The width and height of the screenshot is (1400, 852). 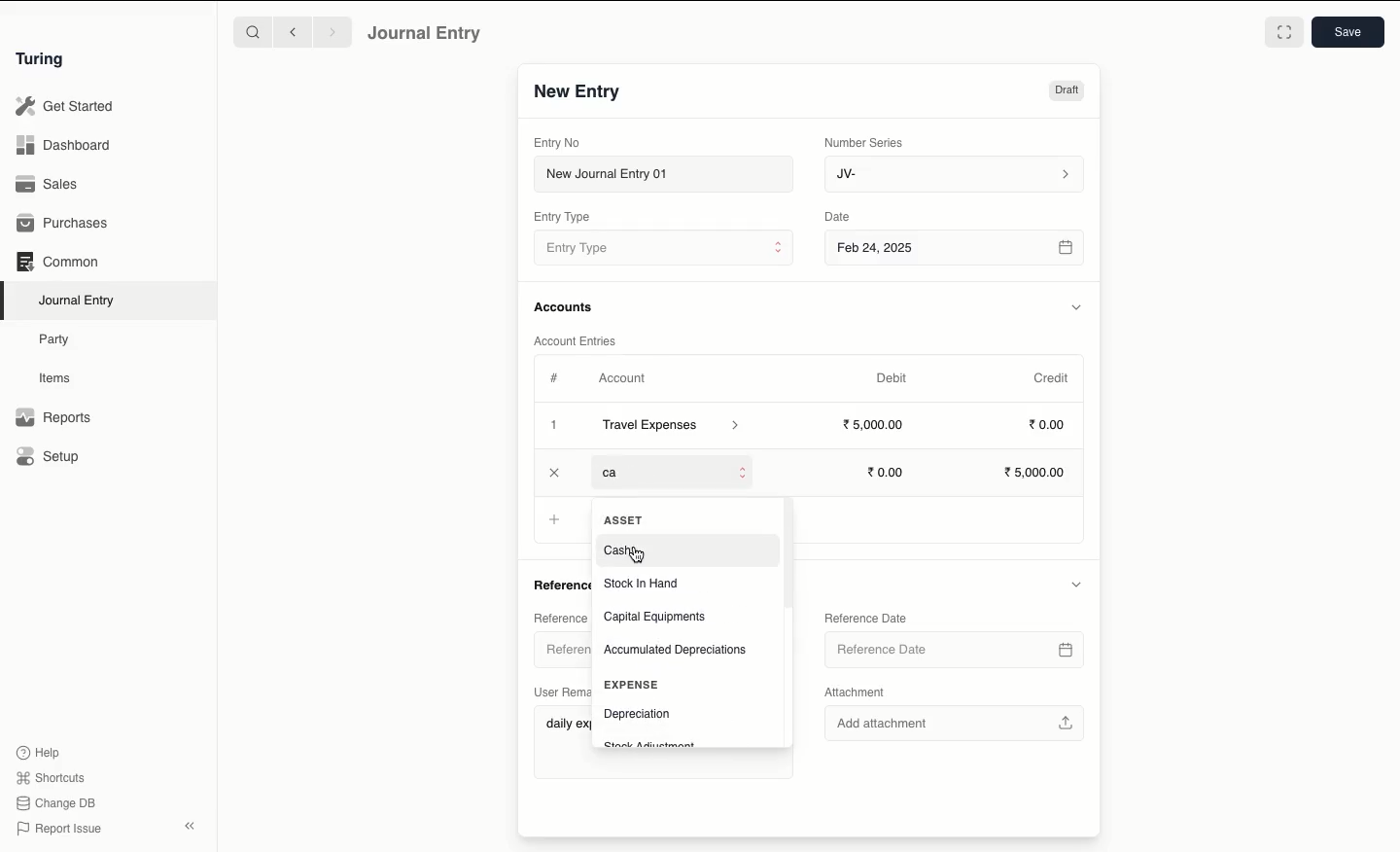 What do you see at coordinates (59, 262) in the screenshot?
I see `Common` at bounding box center [59, 262].